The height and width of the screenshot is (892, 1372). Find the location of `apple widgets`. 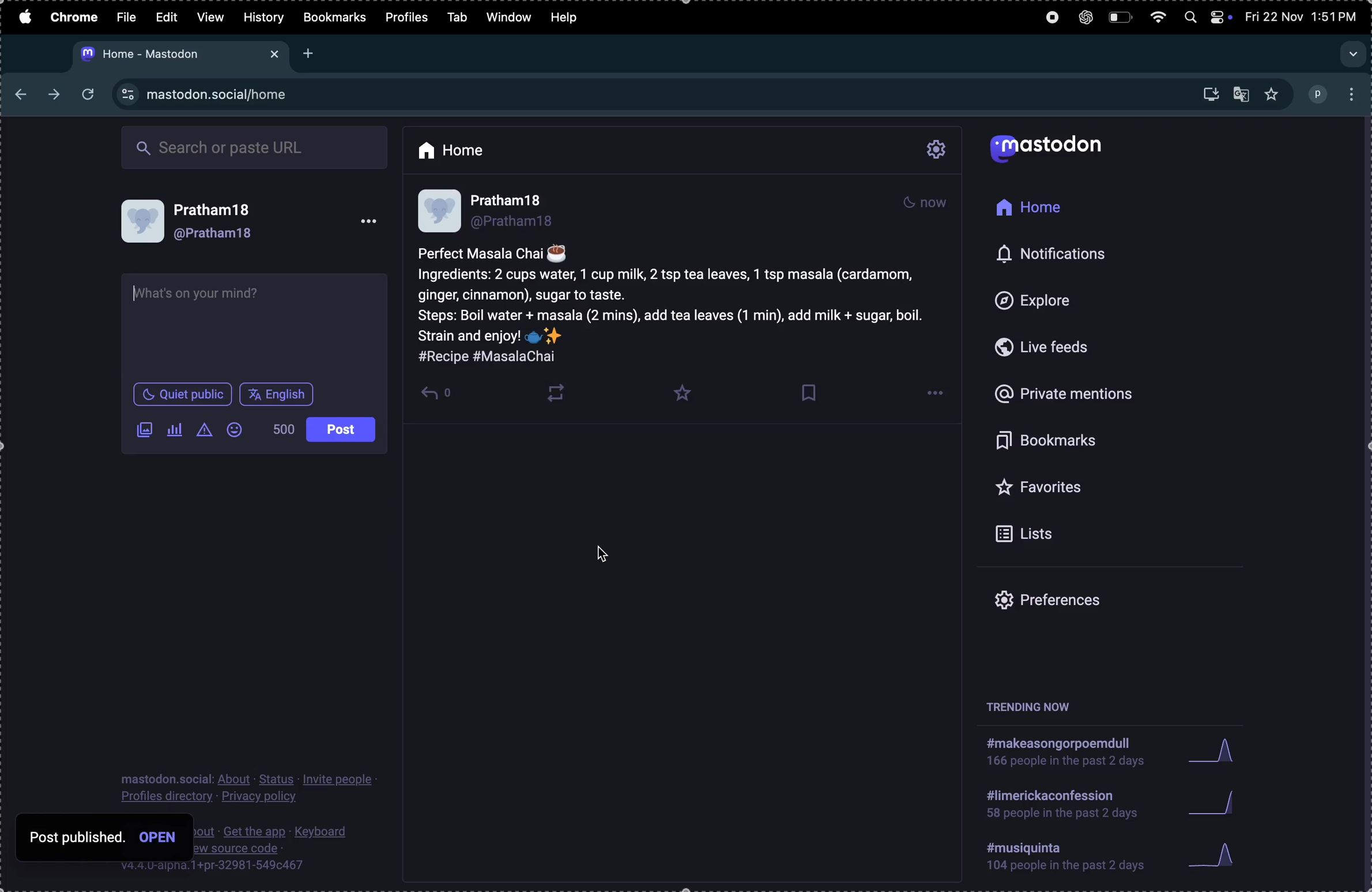

apple widgets is located at coordinates (1218, 17).